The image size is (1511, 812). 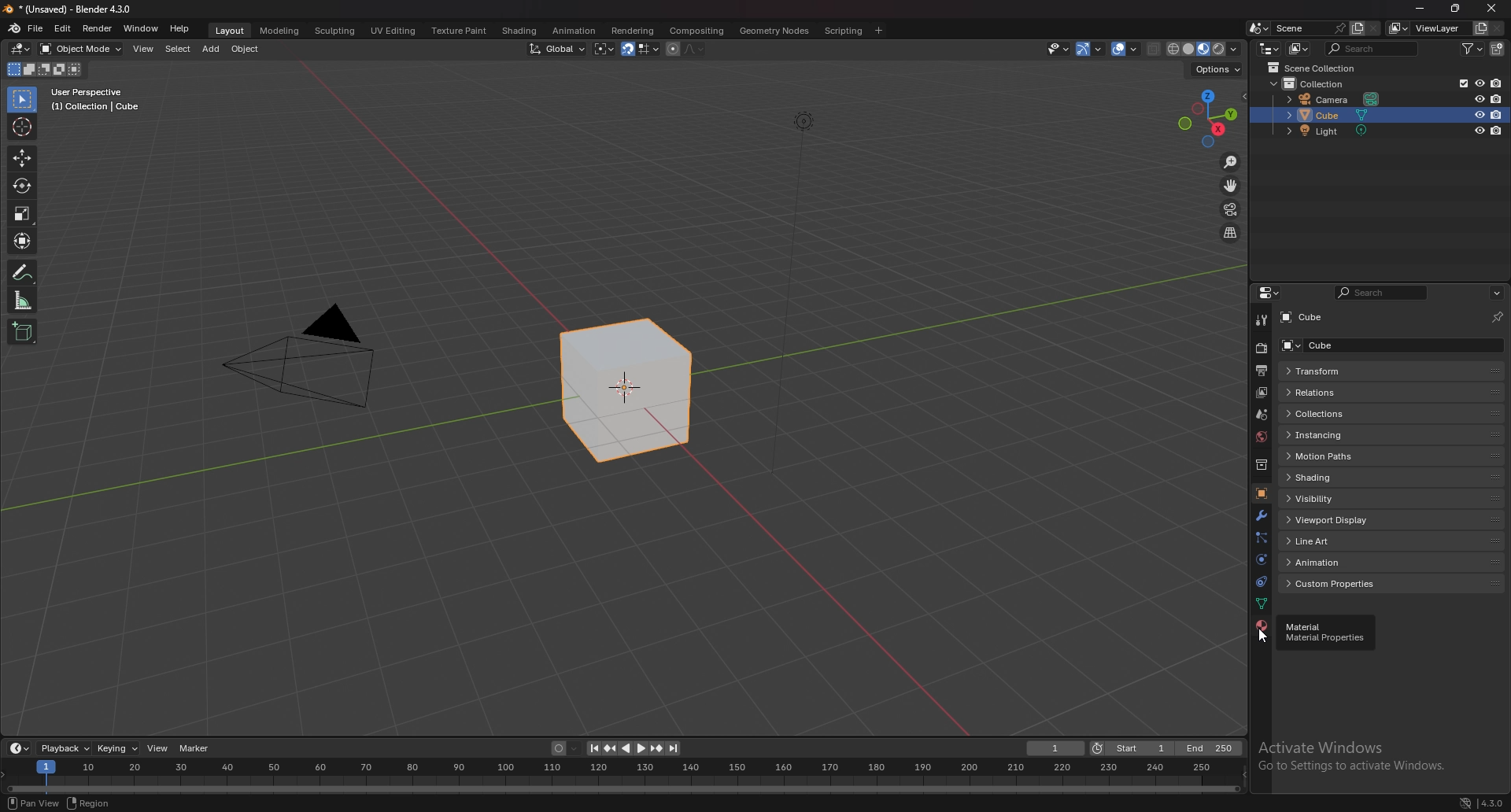 I want to click on minimize, so click(x=1420, y=9).